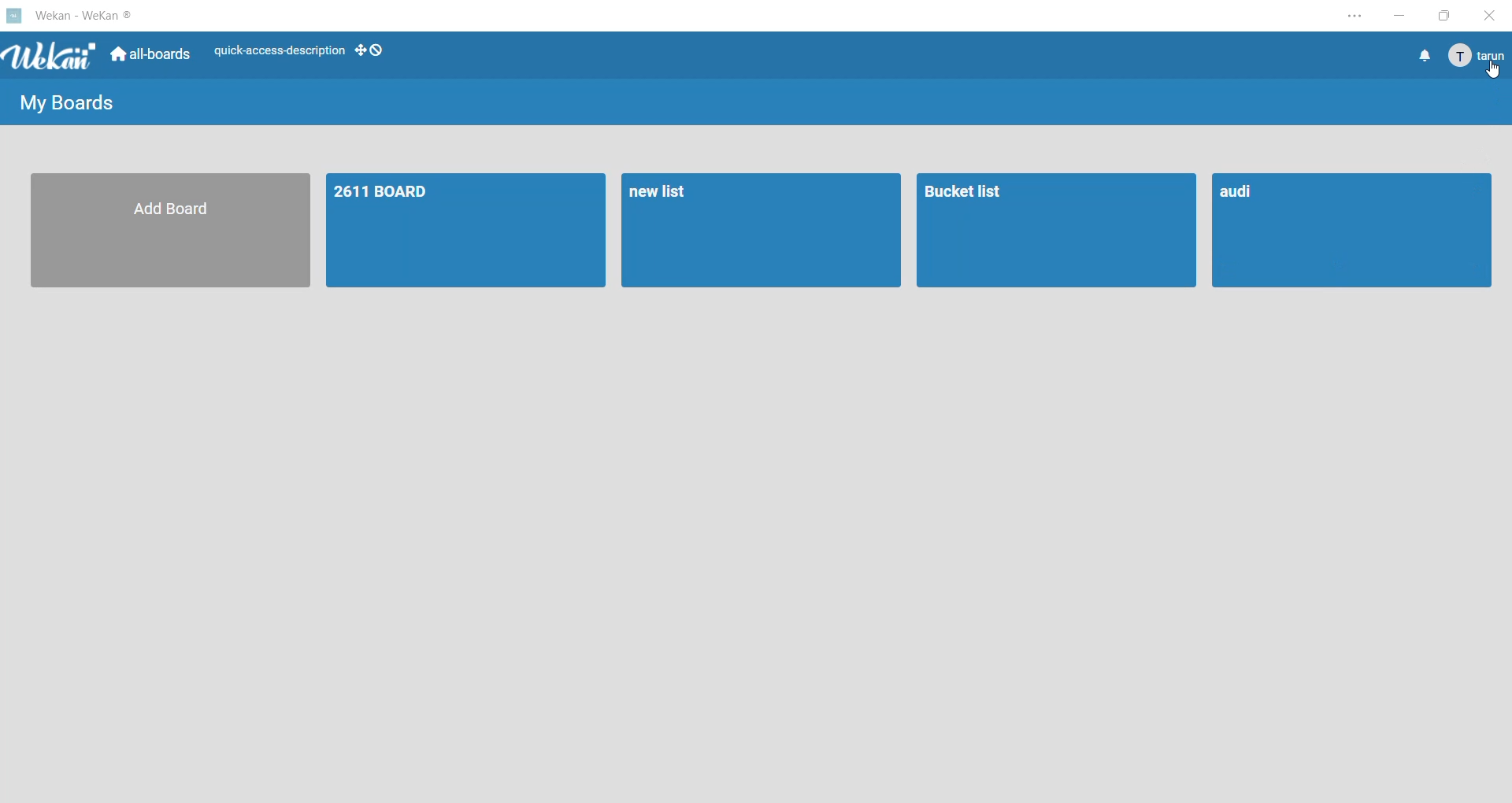  What do you see at coordinates (1494, 71) in the screenshot?
I see `cursor` at bounding box center [1494, 71].